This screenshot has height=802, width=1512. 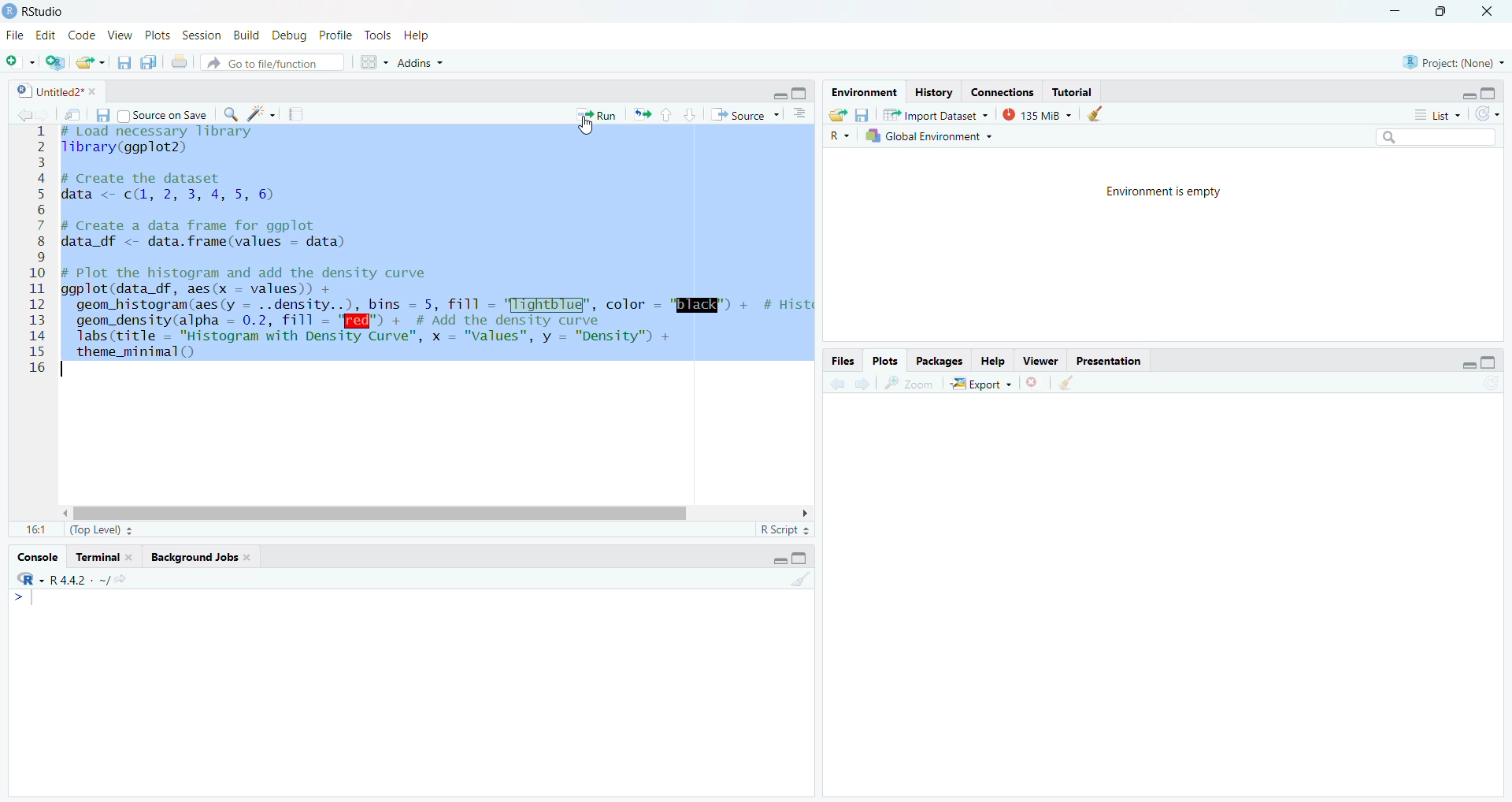 What do you see at coordinates (780, 95) in the screenshot?
I see `minimize` at bounding box center [780, 95].